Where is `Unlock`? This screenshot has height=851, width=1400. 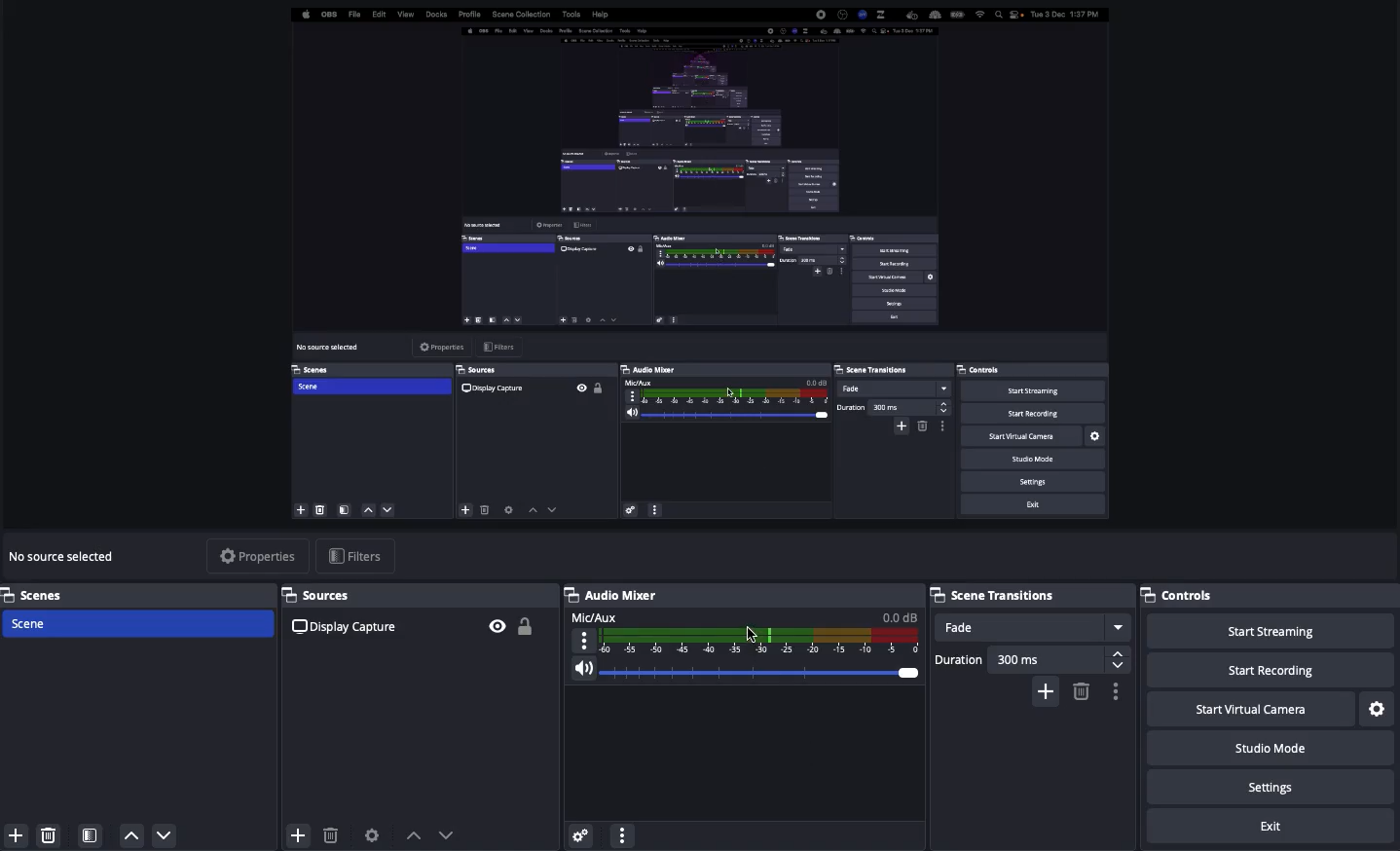 Unlock is located at coordinates (527, 627).